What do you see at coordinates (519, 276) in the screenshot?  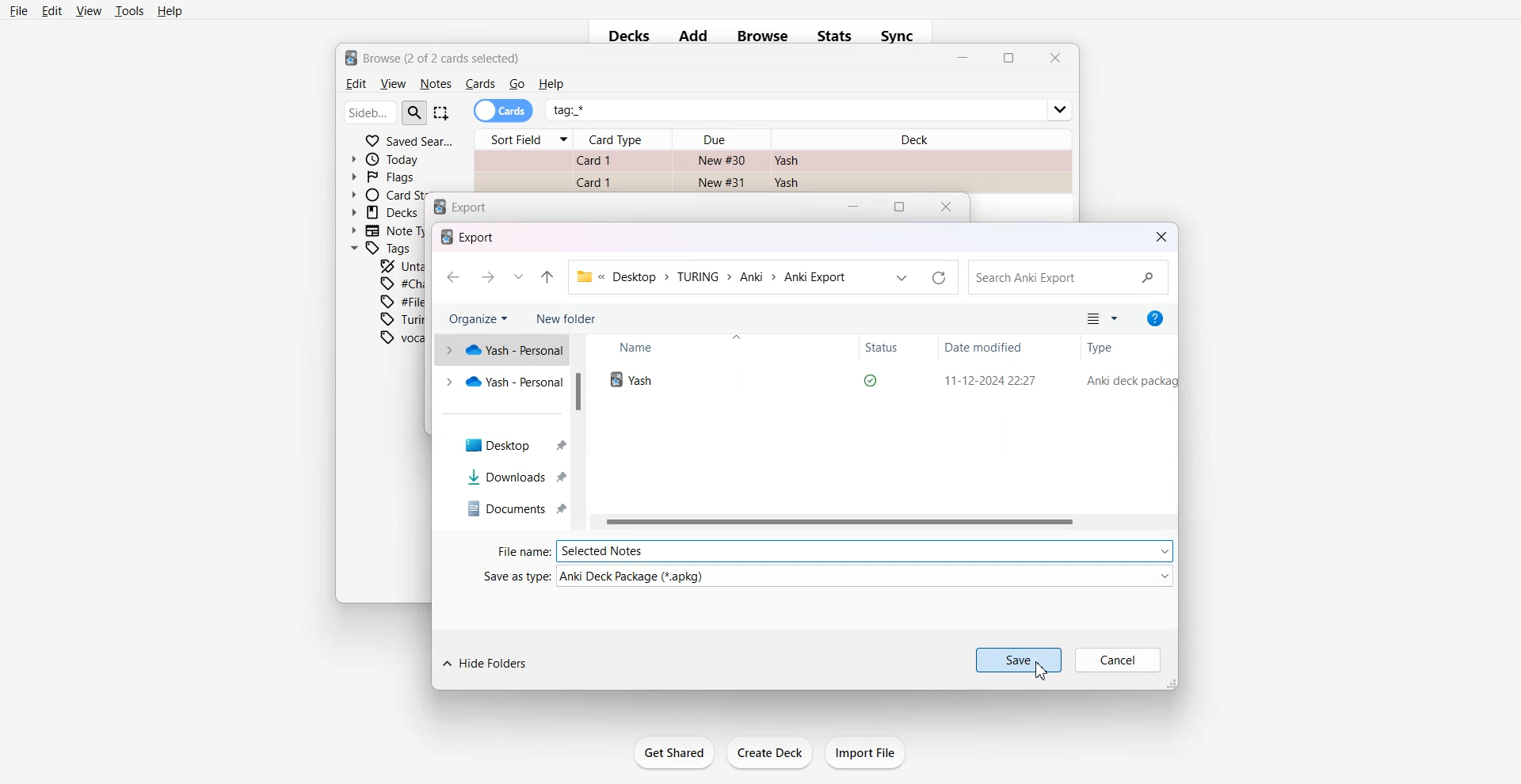 I see `Recent file` at bounding box center [519, 276].